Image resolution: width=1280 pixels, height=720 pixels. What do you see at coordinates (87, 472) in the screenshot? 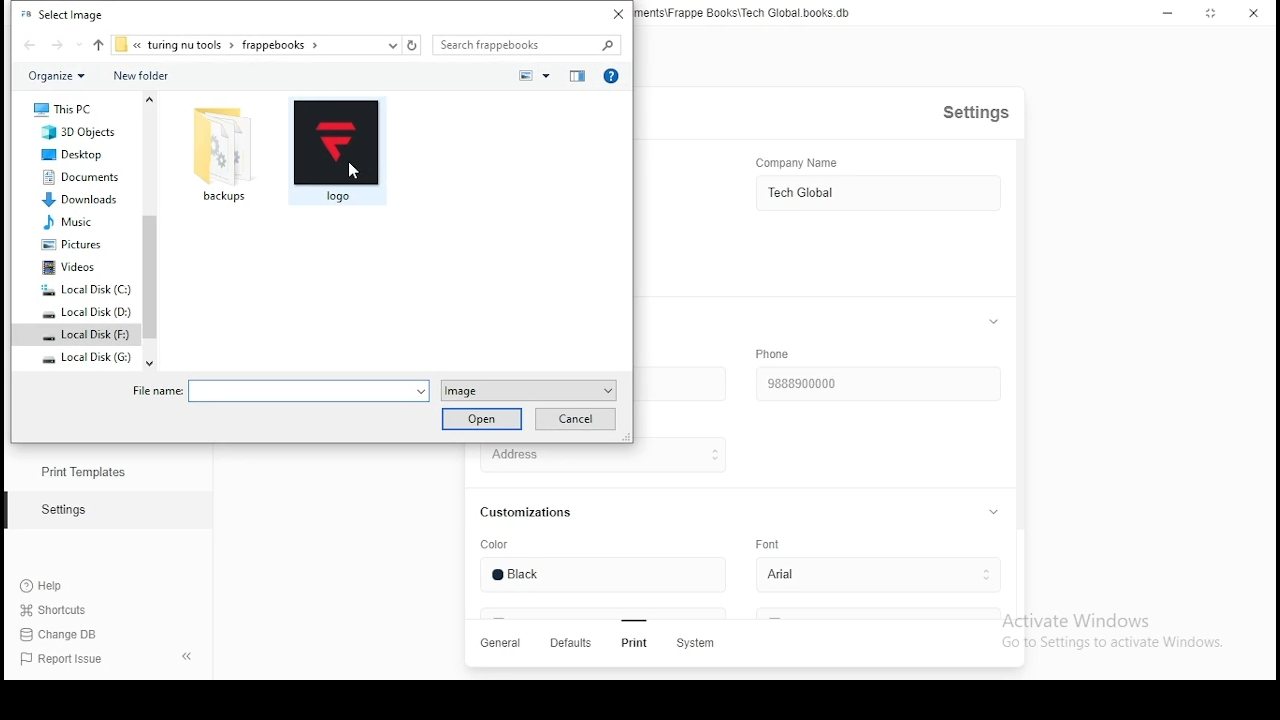
I see `print templates ` at bounding box center [87, 472].